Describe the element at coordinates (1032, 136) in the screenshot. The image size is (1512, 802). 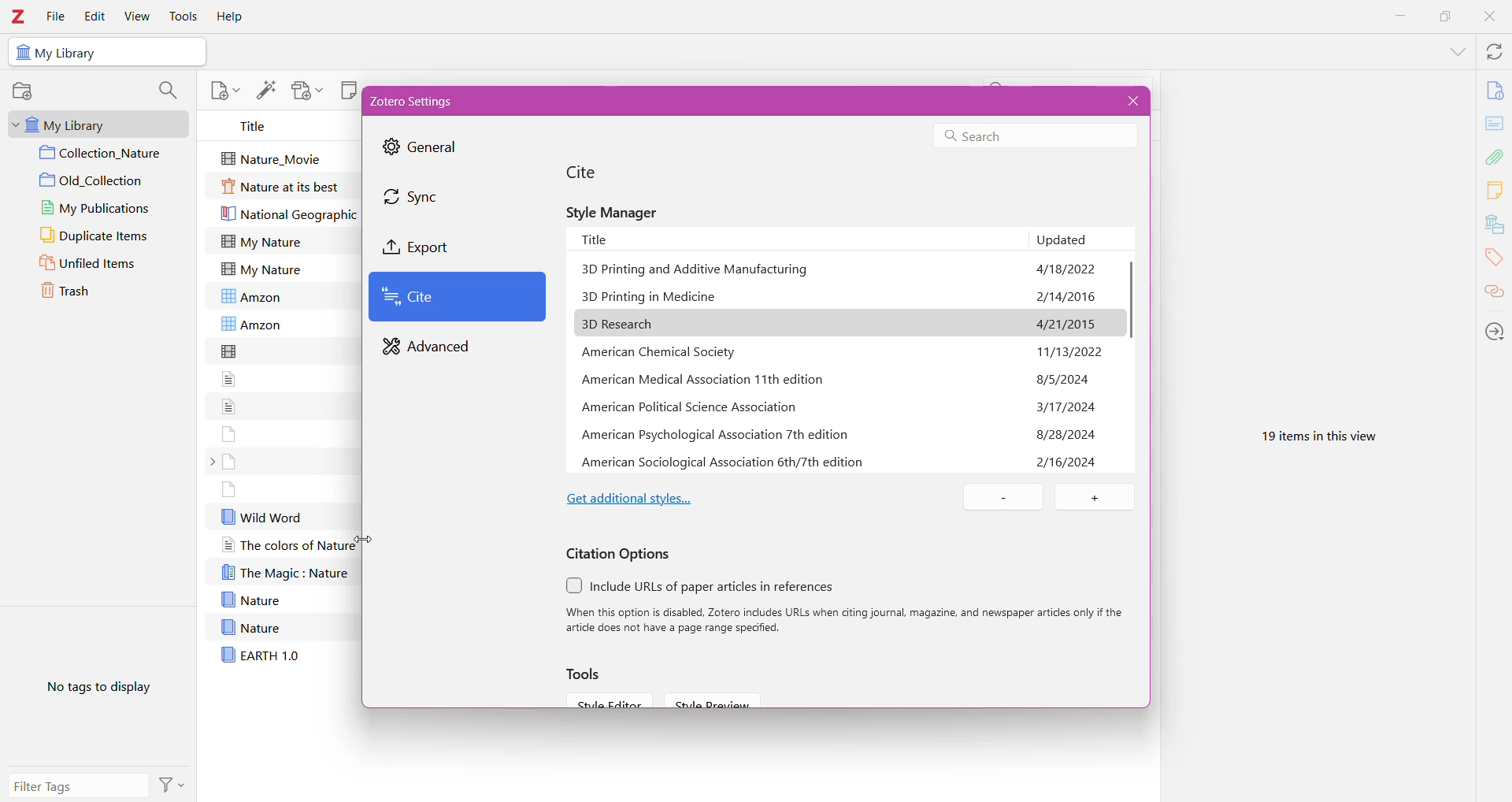
I see `Search Bar` at that location.